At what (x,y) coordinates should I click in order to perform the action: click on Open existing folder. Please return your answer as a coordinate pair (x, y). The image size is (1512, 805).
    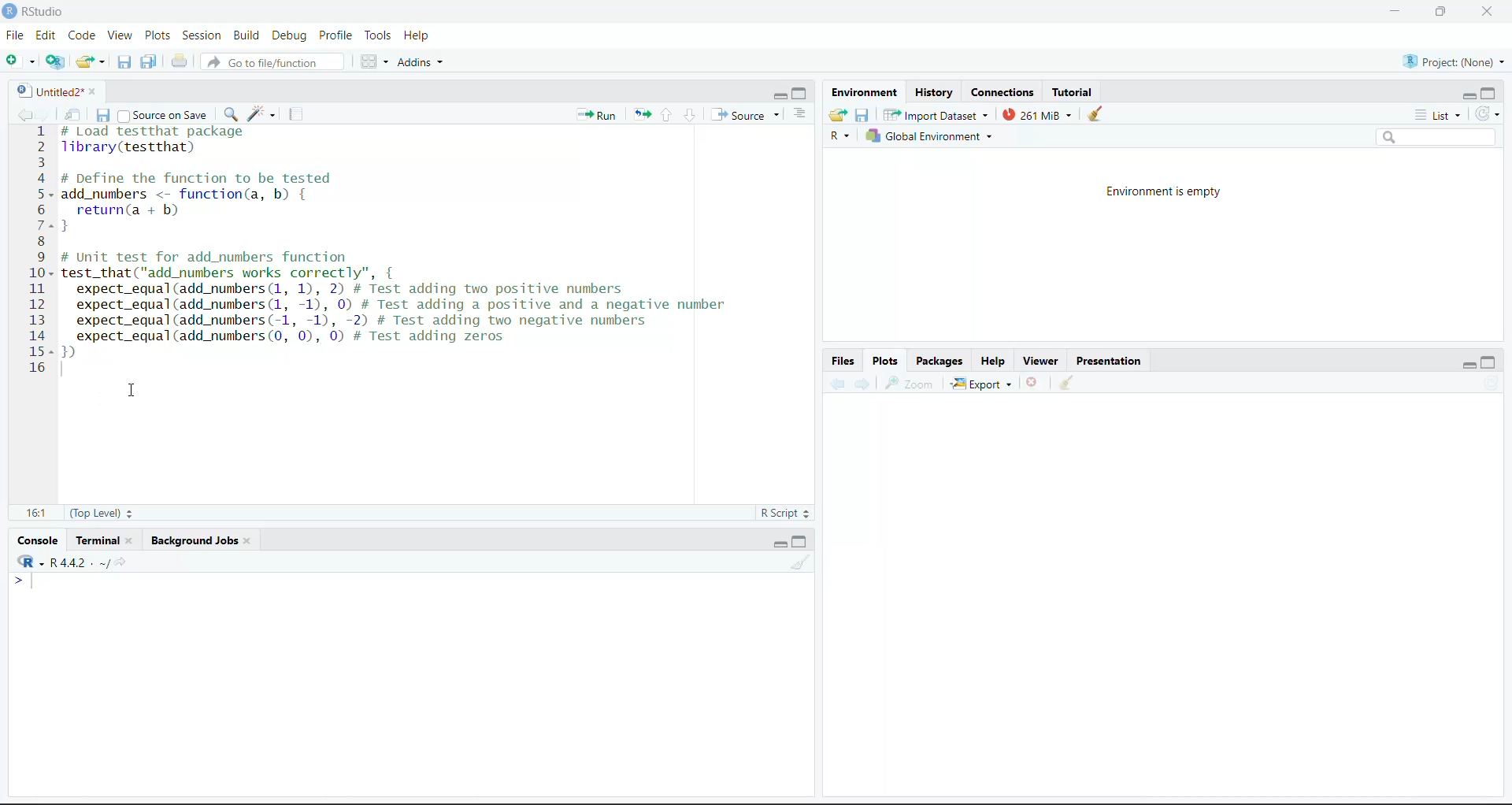
    Looking at the image, I should click on (89, 61).